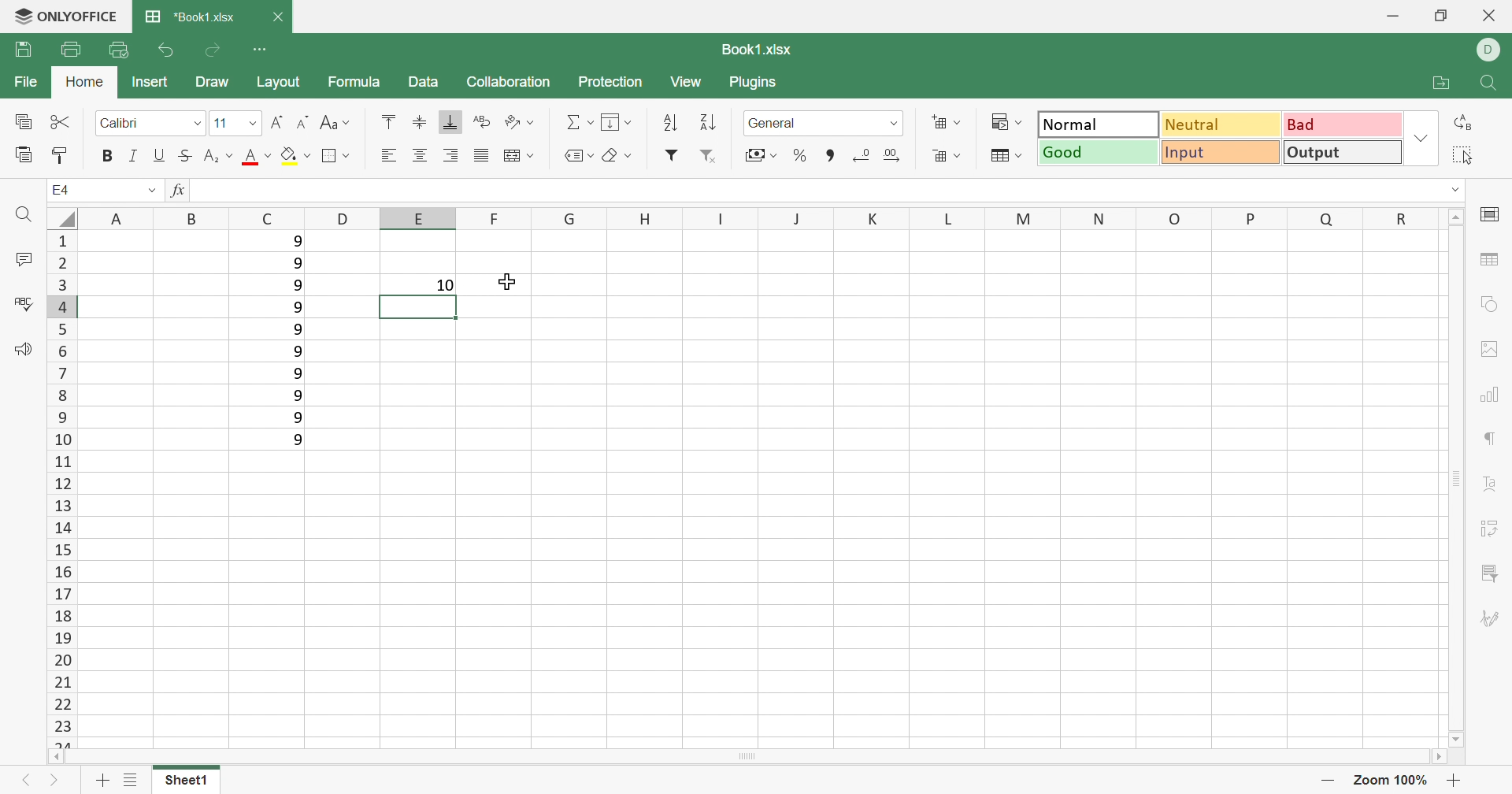  What do you see at coordinates (518, 120) in the screenshot?
I see `Orientation` at bounding box center [518, 120].